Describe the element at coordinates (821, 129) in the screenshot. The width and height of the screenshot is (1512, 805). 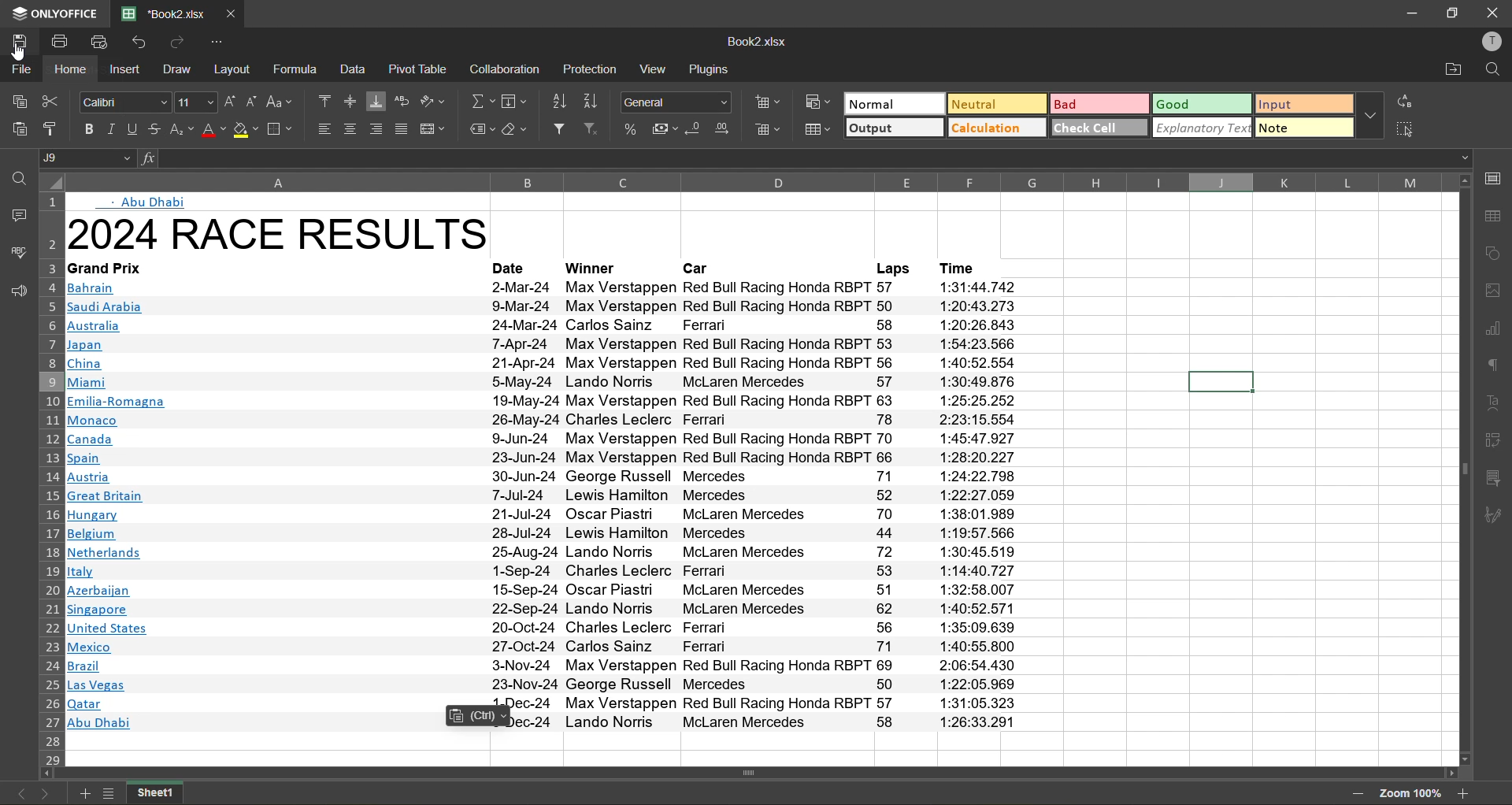
I see `format as table` at that location.